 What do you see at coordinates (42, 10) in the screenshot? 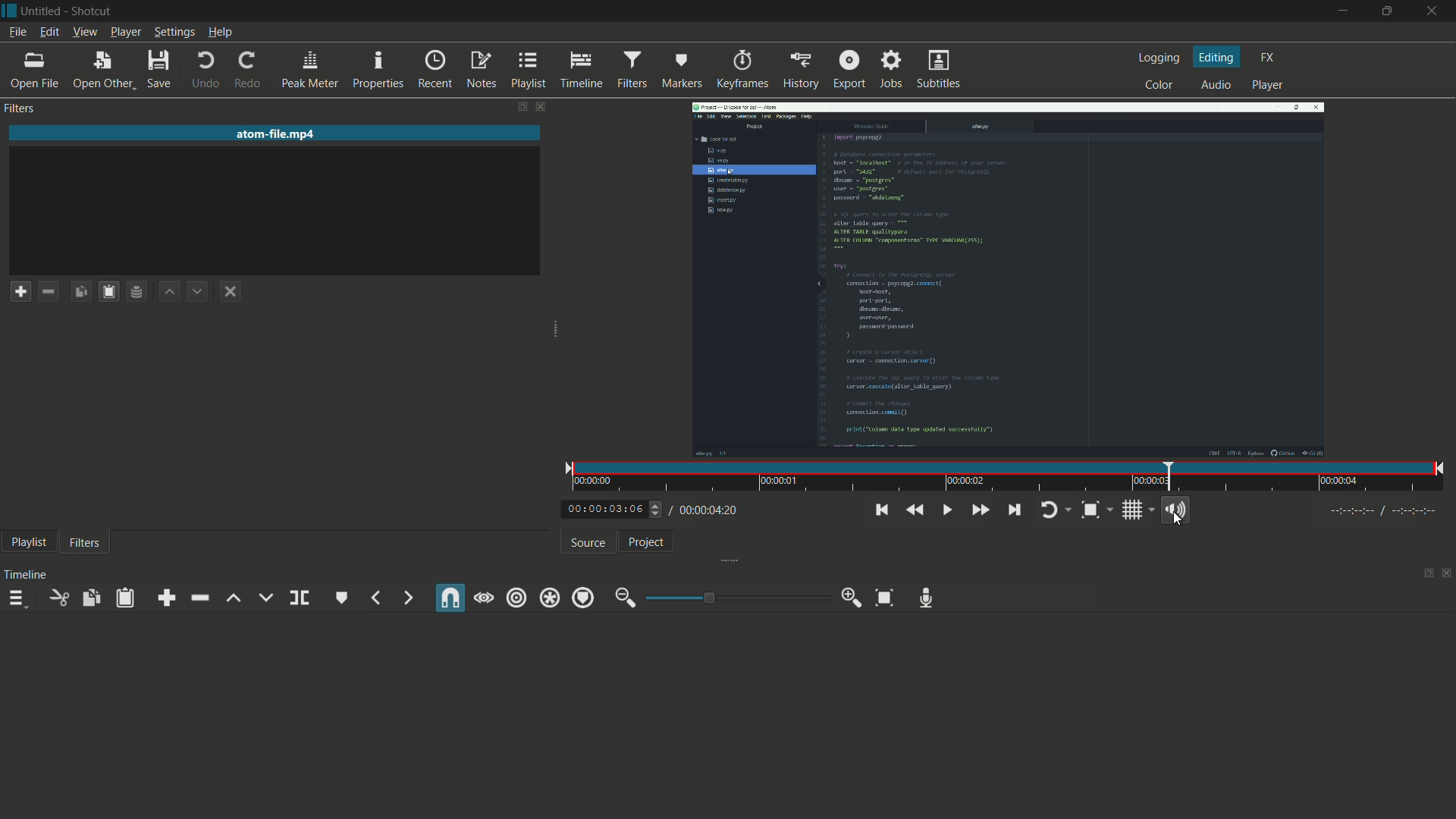
I see `Untitled` at bounding box center [42, 10].